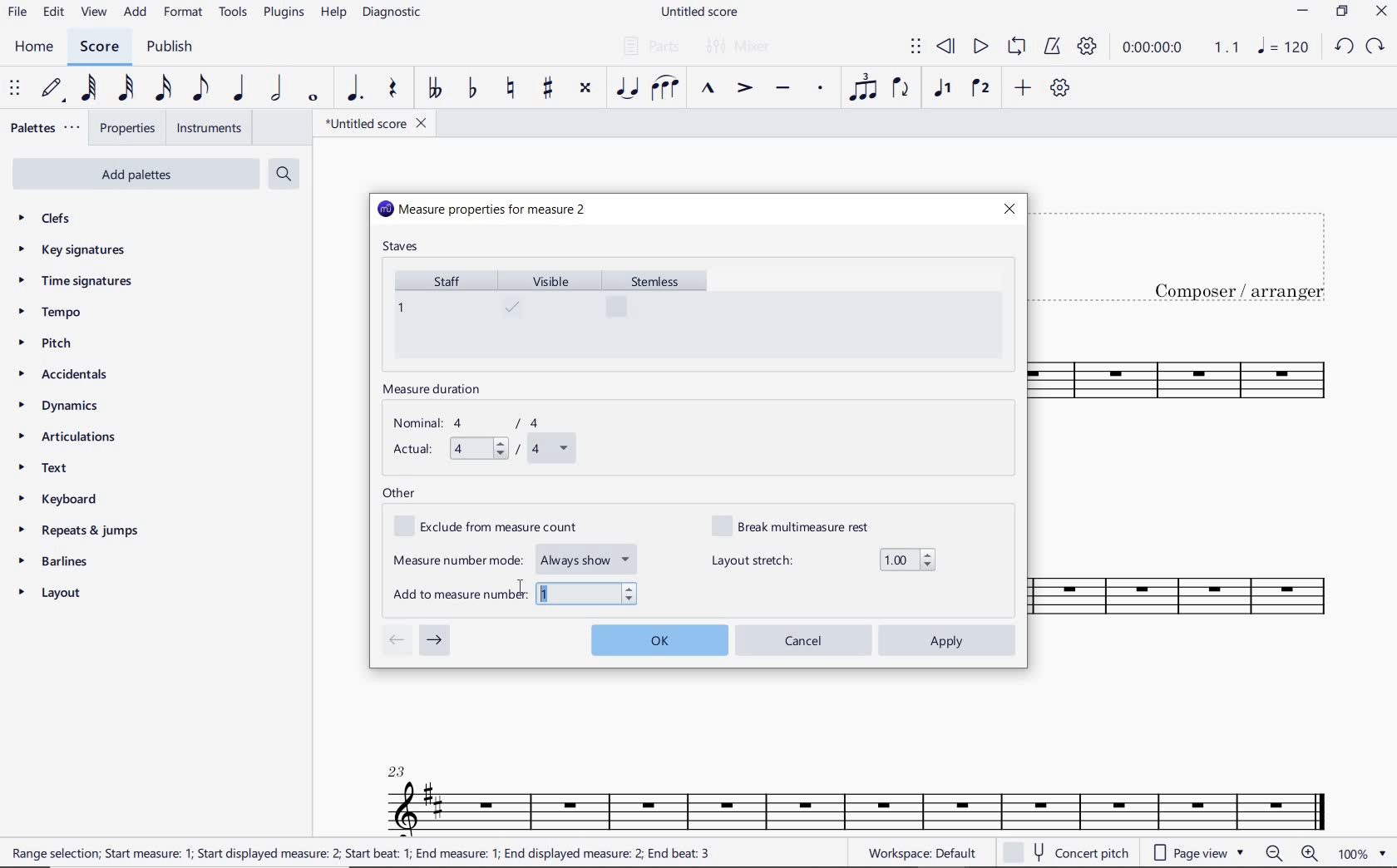 This screenshot has width=1397, height=868. Describe the element at coordinates (782, 90) in the screenshot. I see `TENUTO` at that location.